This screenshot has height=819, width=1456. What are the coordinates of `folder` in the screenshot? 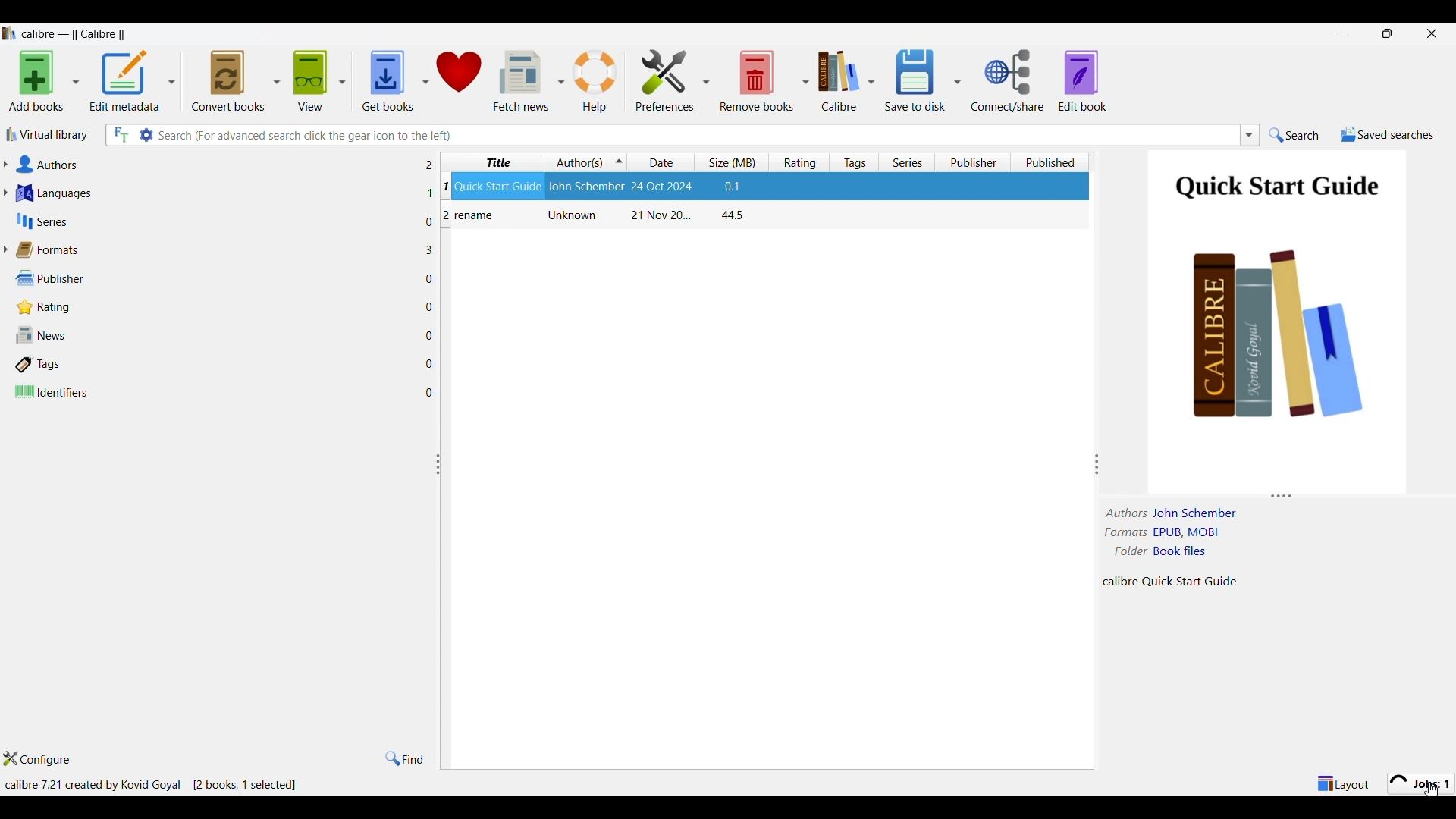 It's located at (1128, 551).